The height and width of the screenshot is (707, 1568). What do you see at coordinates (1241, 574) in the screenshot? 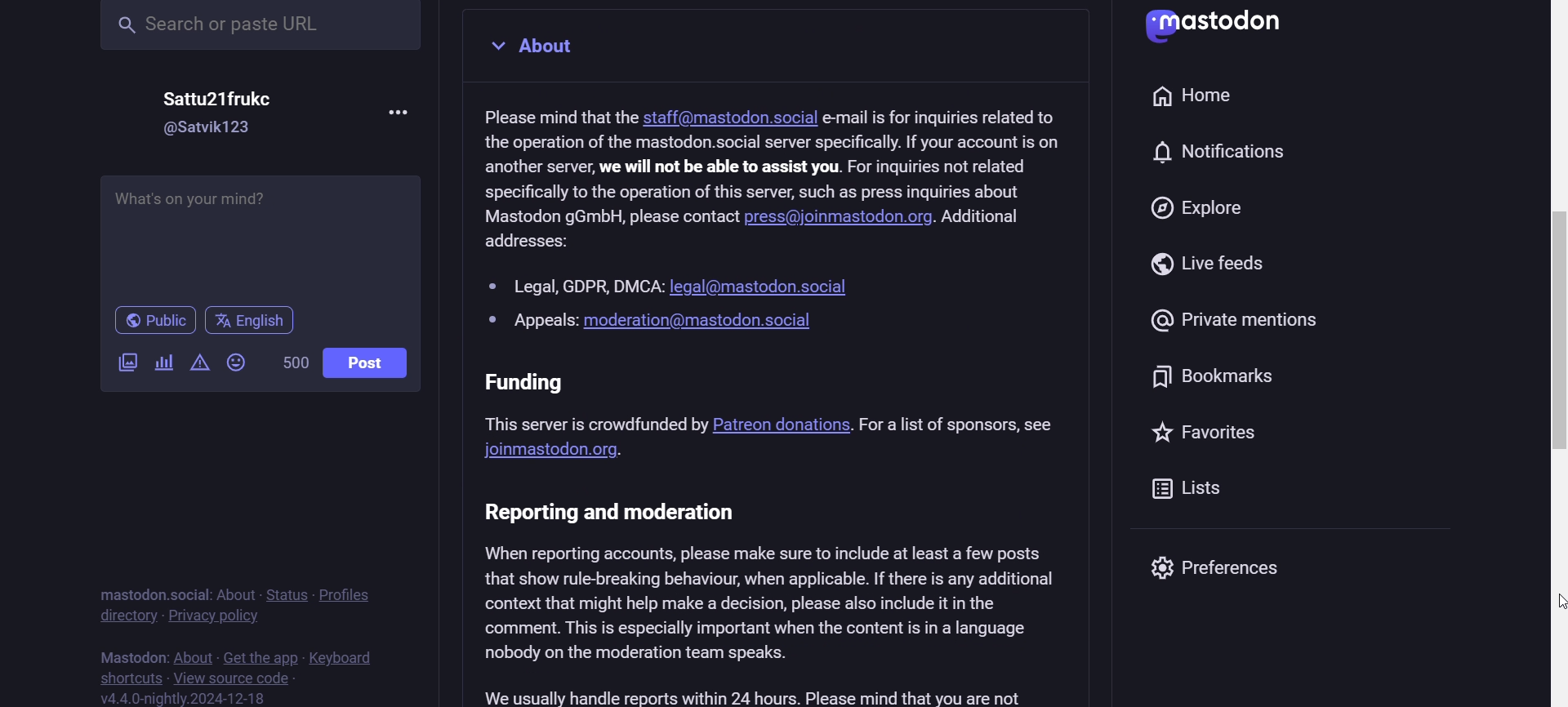
I see `preferences` at bounding box center [1241, 574].